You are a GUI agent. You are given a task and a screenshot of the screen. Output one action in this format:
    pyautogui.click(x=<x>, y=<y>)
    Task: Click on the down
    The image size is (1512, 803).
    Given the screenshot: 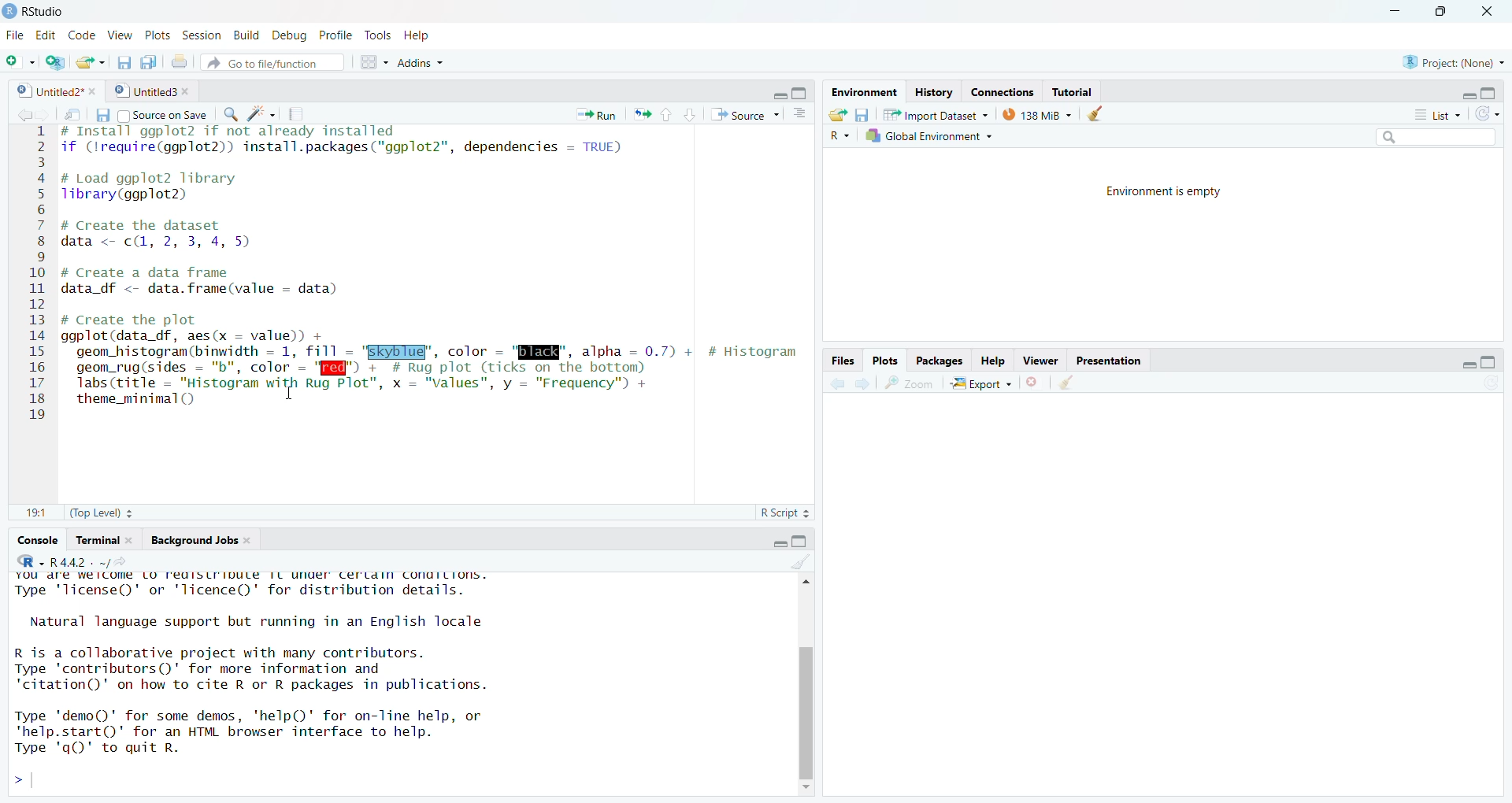 What is the action you would take?
    pyautogui.click(x=693, y=114)
    